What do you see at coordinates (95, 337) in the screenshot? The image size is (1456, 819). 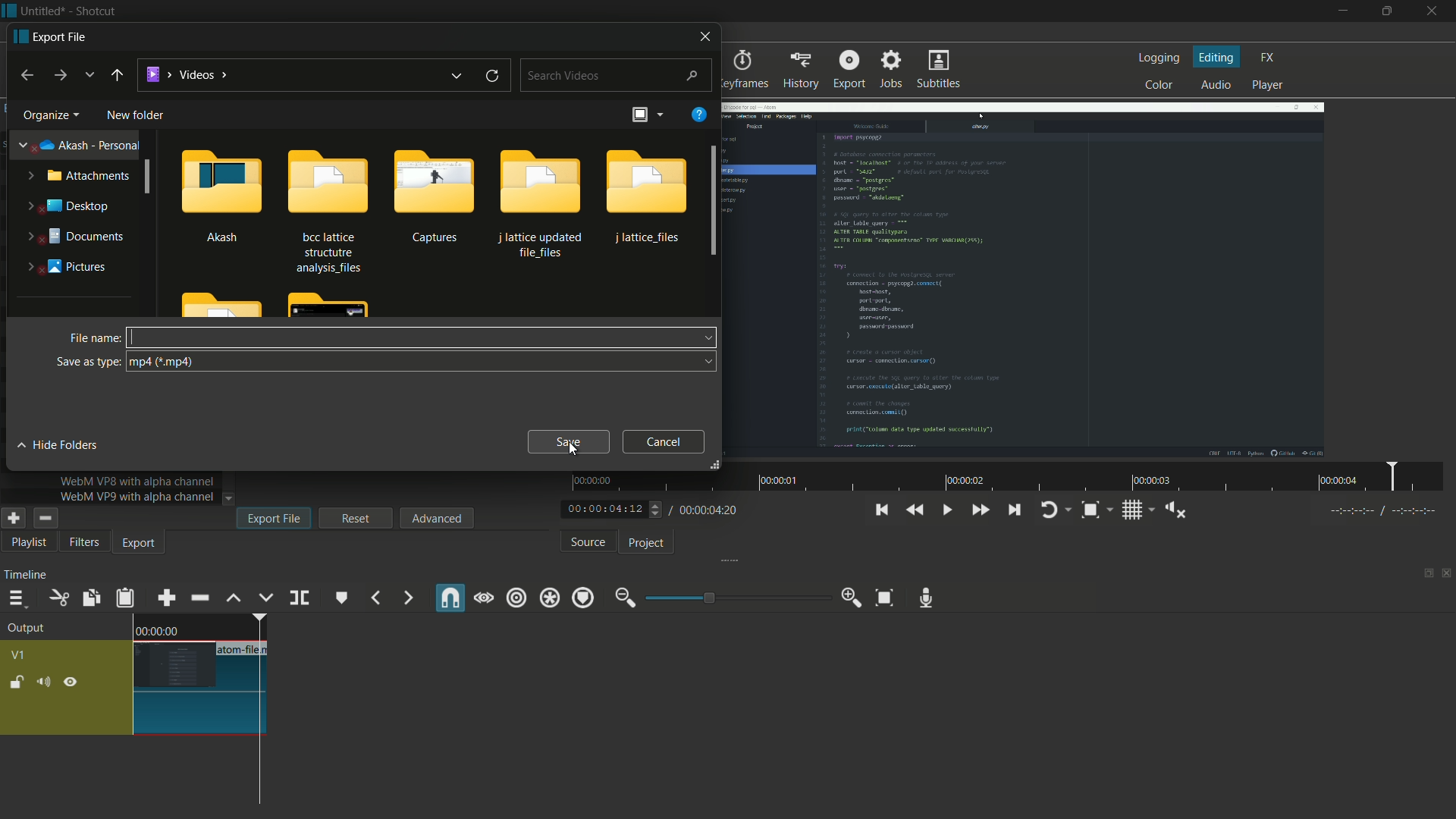 I see `file name` at bounding box center [95, 337].